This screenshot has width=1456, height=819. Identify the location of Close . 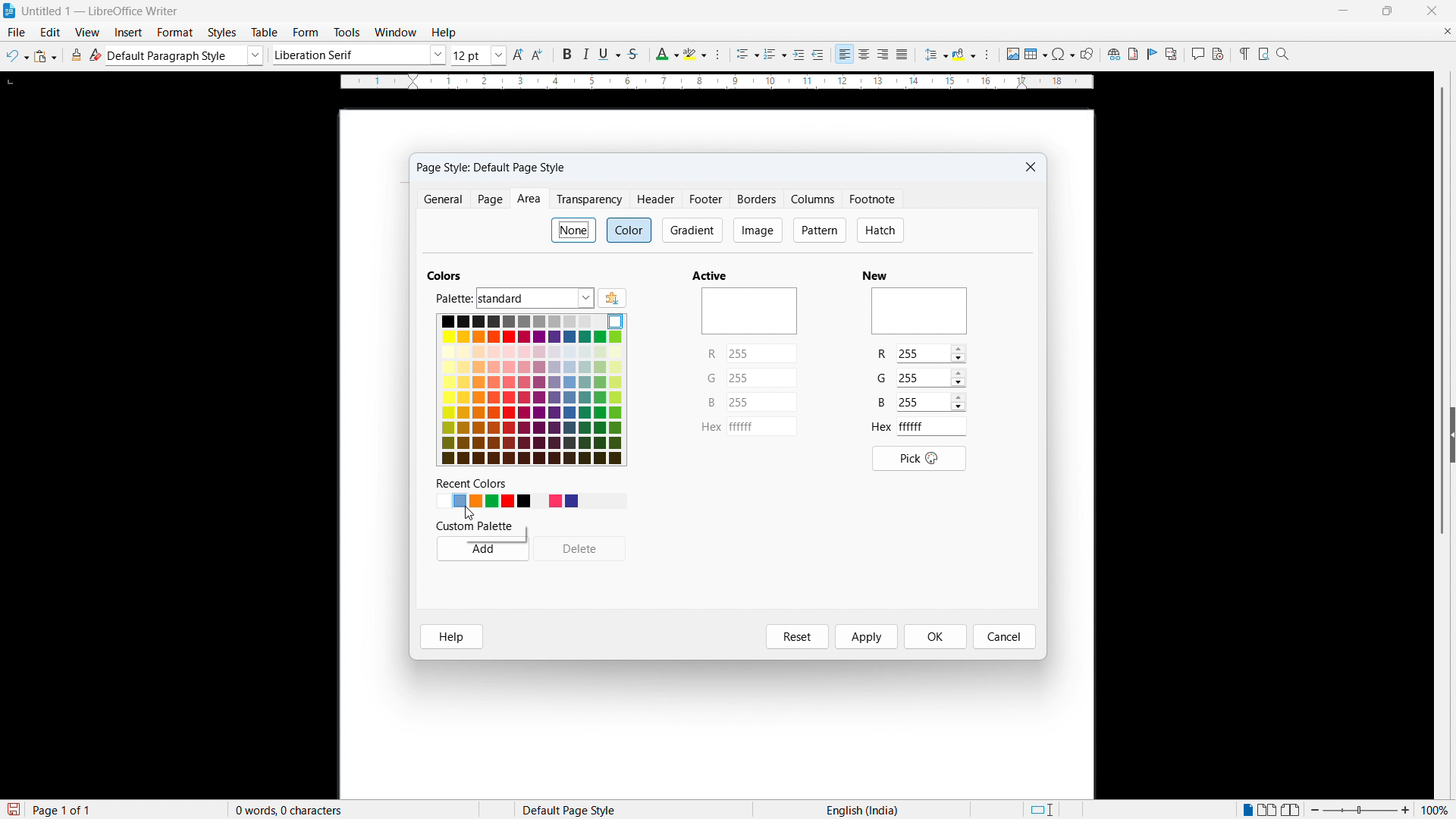
(1431, 11).